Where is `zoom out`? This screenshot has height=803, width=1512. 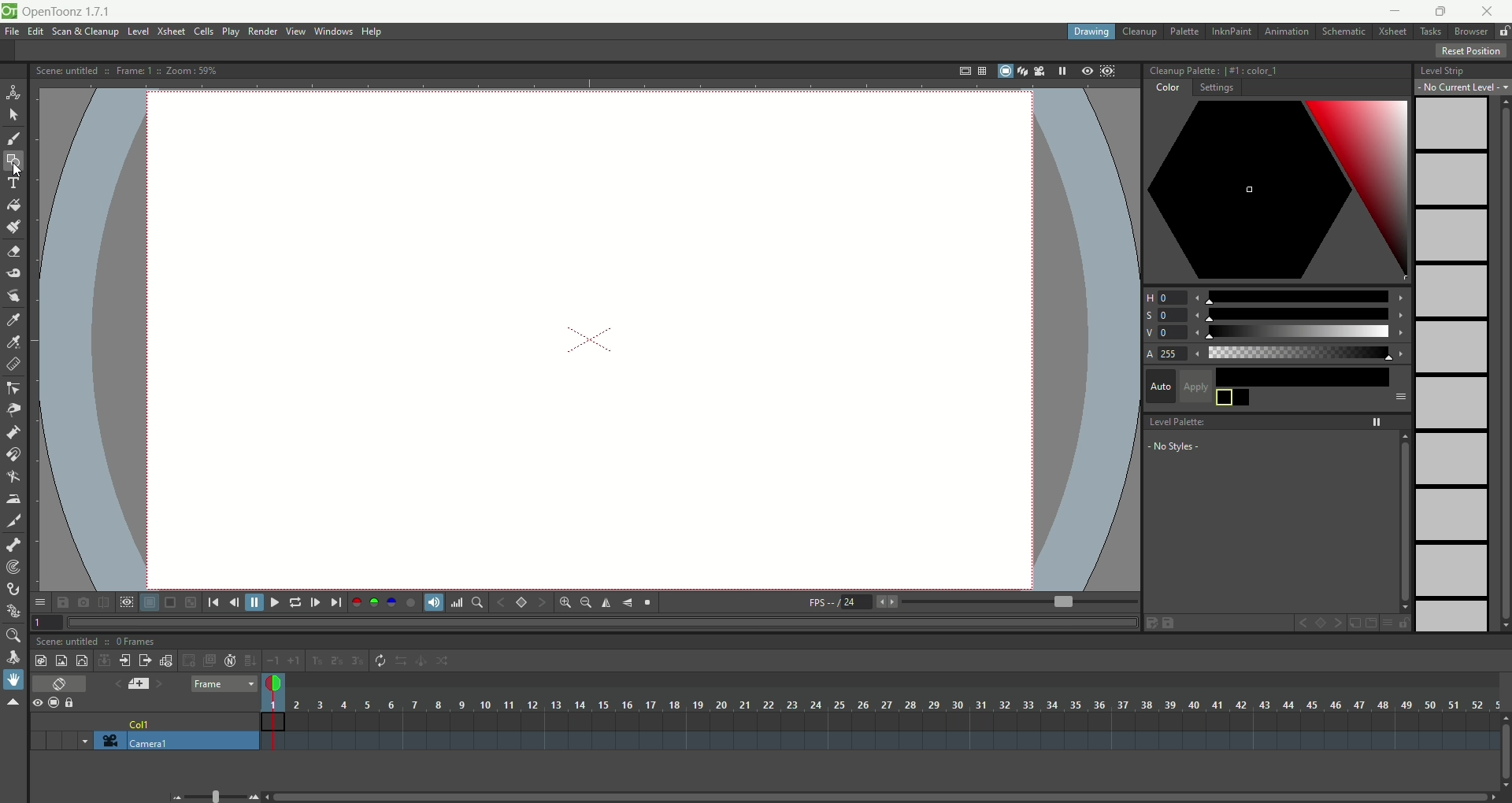
zoom out is located at coordinates (586, 604).